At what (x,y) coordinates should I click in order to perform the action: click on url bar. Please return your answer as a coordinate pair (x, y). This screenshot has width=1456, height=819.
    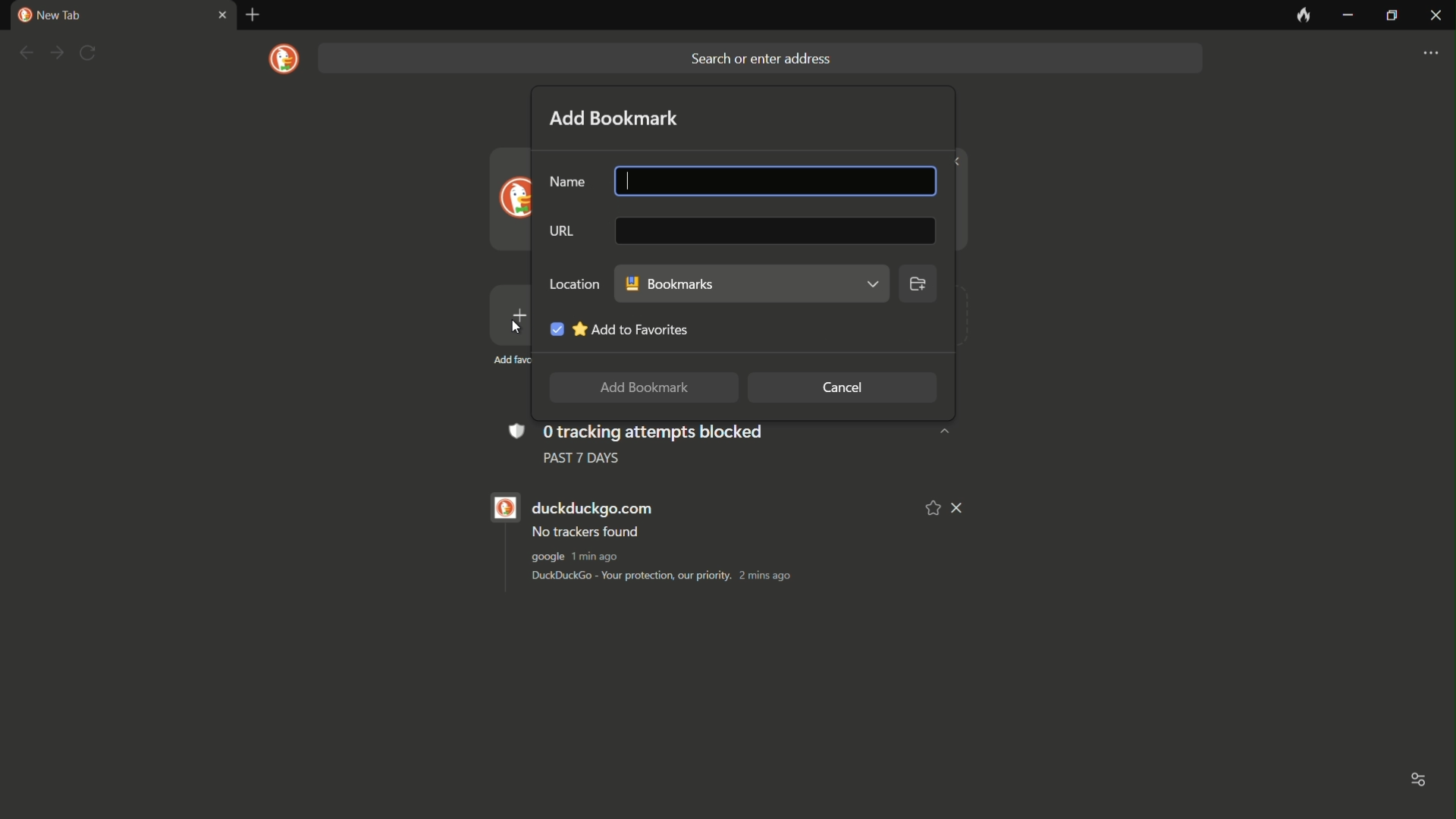
    Looking at the image, I should click on (773, 233).